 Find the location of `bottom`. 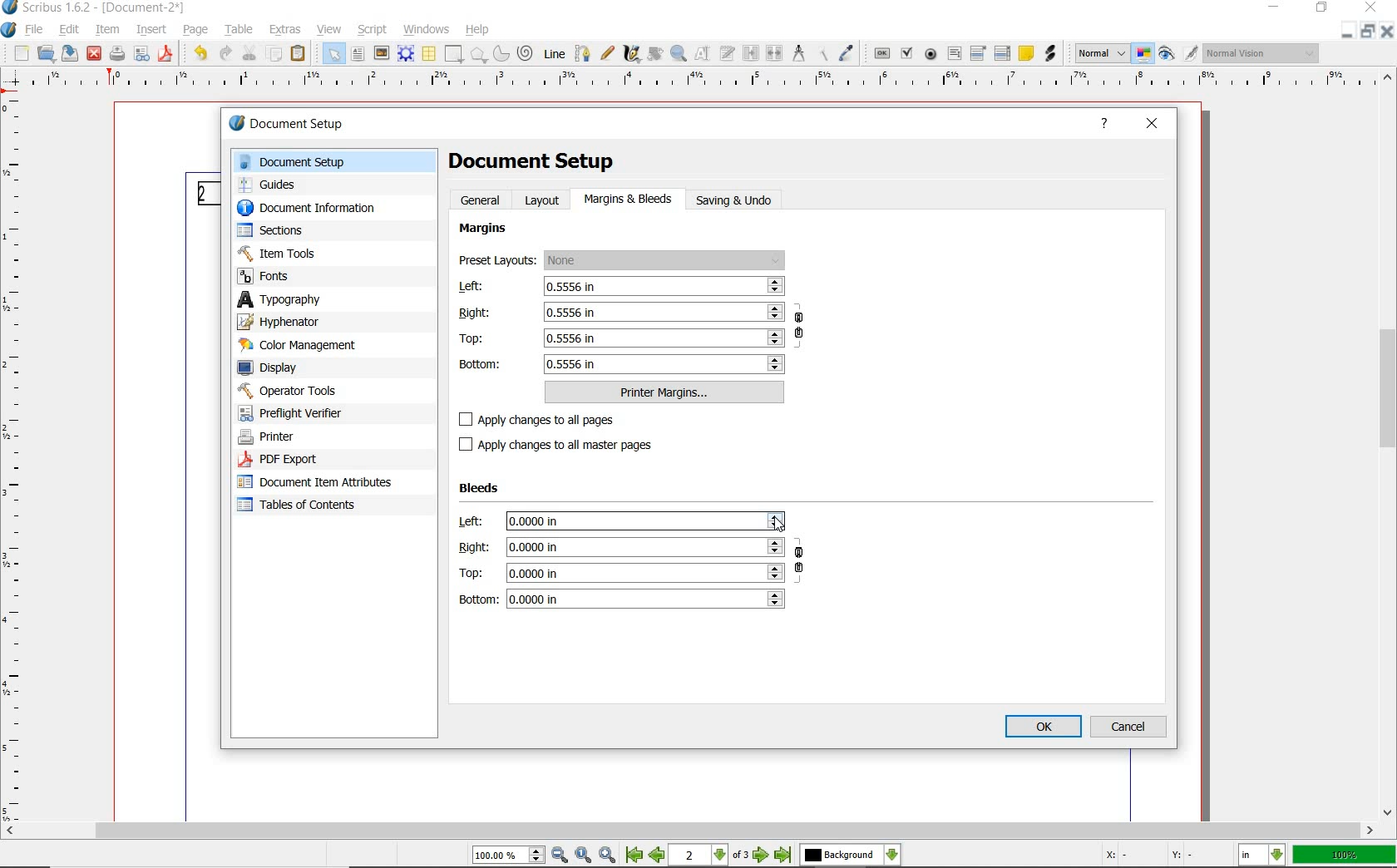

bottom is located at coordinates (621, 599).